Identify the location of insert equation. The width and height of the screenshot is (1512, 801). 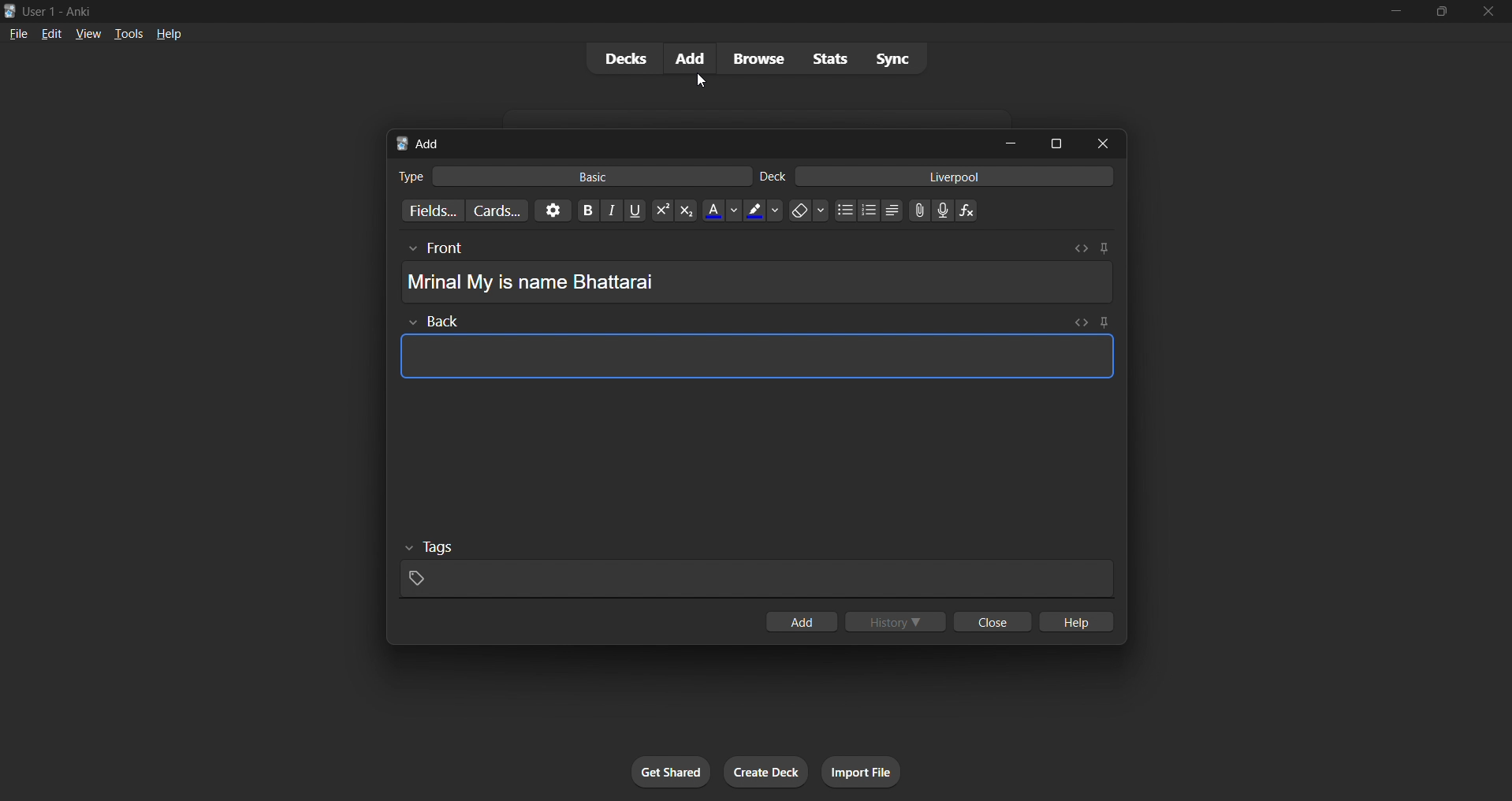
(967, 207).